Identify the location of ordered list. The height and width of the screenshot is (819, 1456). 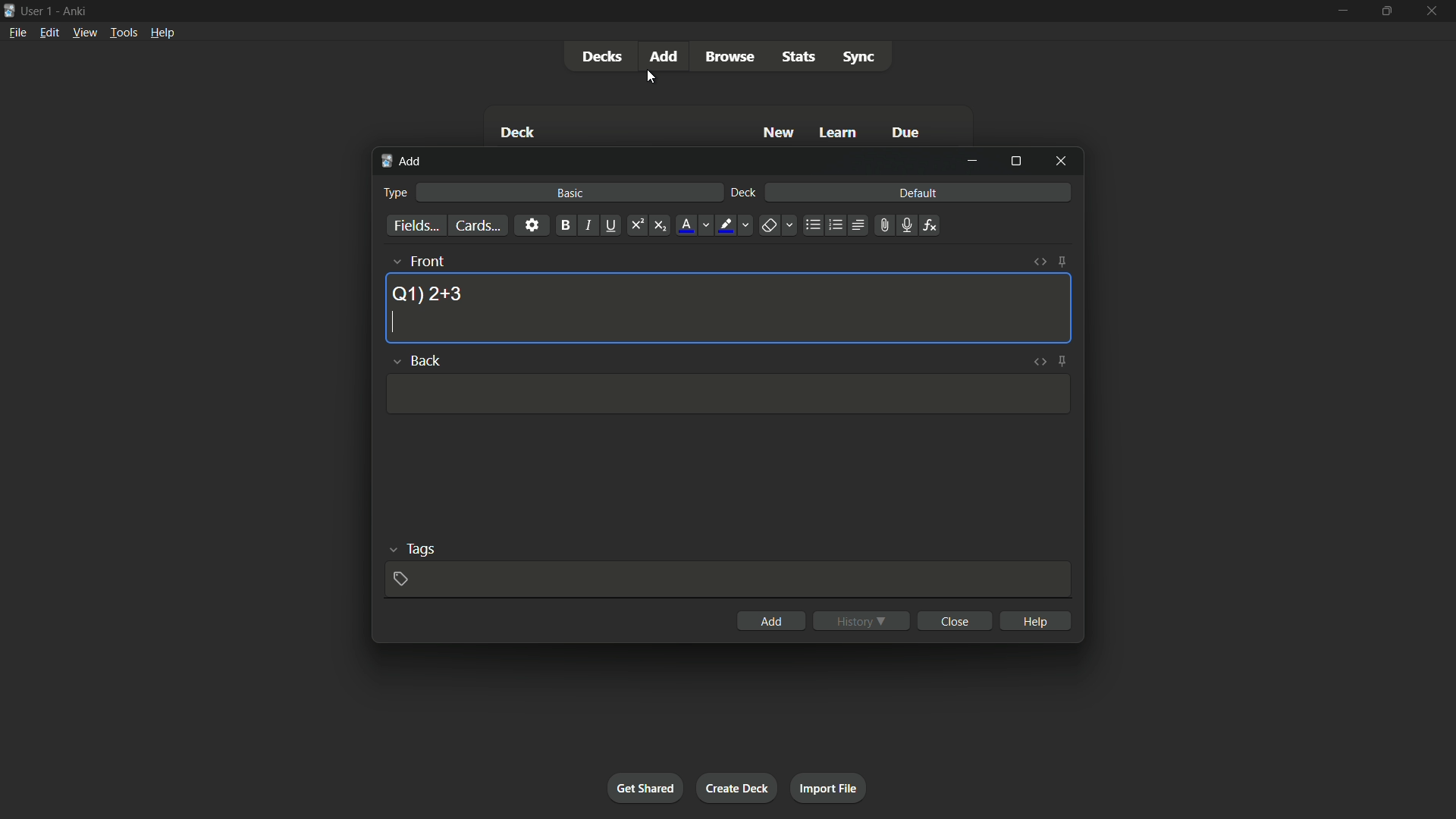
(836, 225).